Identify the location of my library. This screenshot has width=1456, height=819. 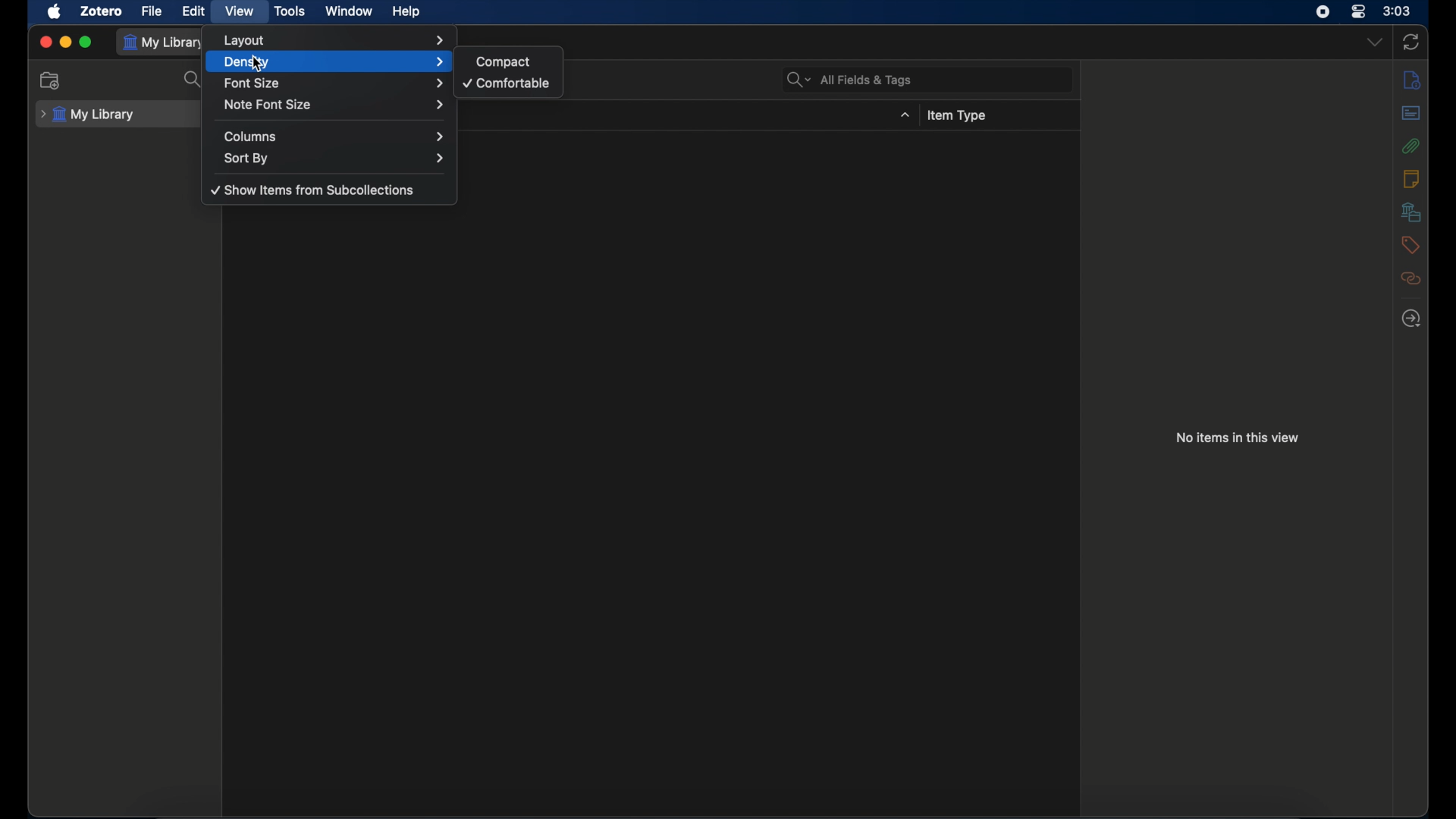
(163, 42).